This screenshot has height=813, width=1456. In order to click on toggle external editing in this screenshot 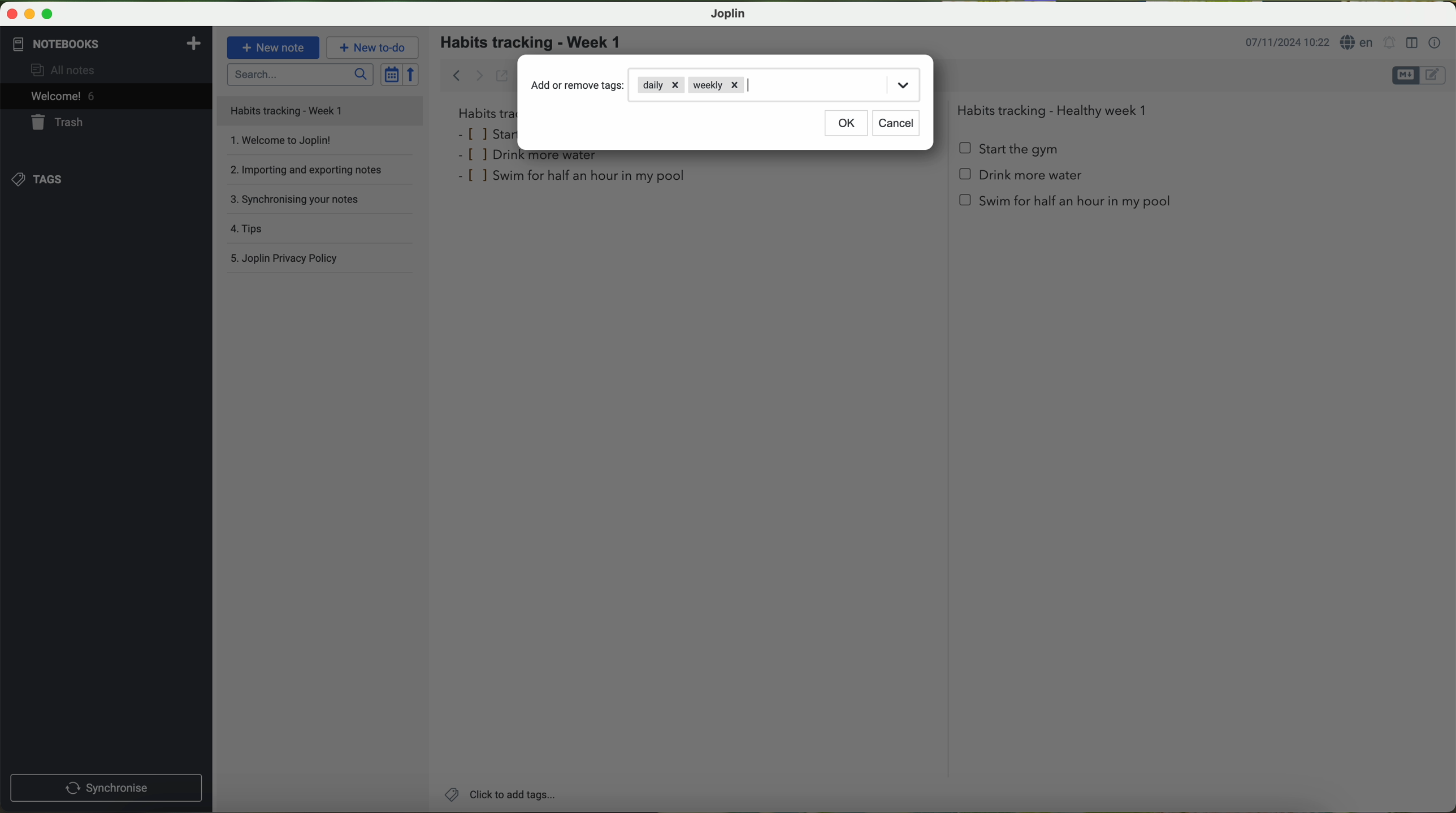, I will do `click(502, 75)`.